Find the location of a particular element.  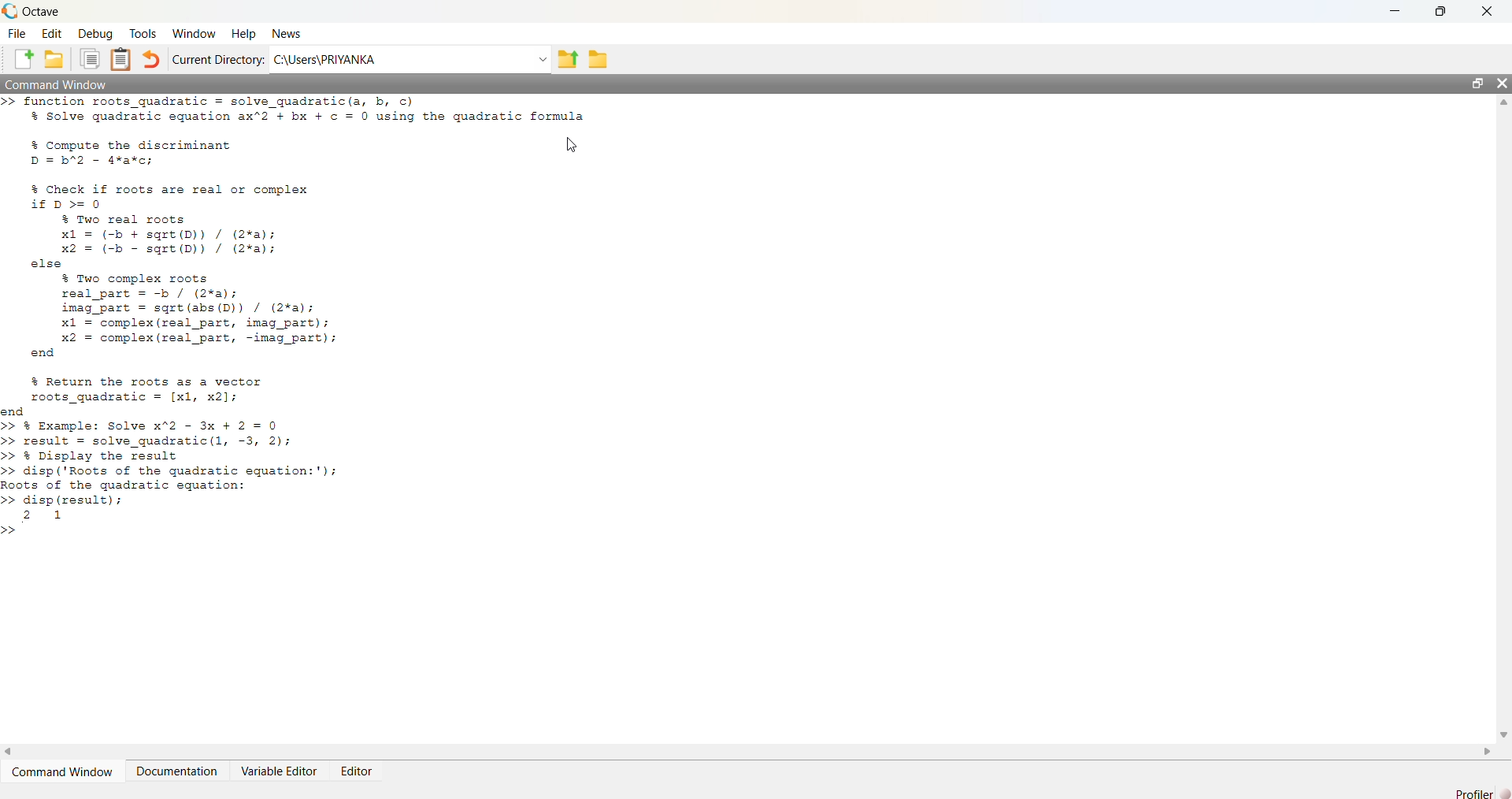

Left is located at coordinates (9, 753).